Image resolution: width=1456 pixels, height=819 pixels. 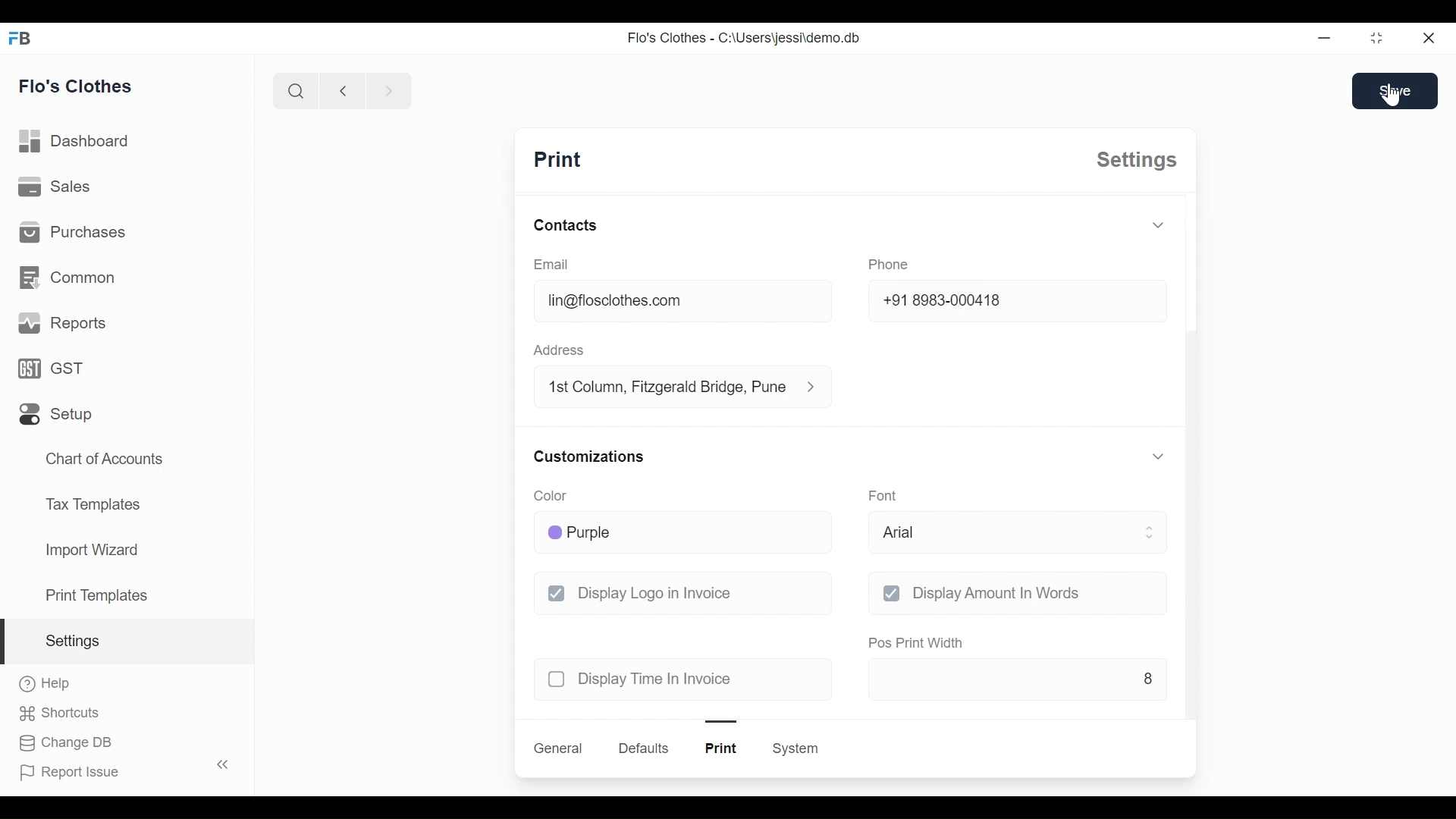 What do you see at coordinates (916, 644) in the screenshot?
I see `pos print width` at bounding box center [916, 644].